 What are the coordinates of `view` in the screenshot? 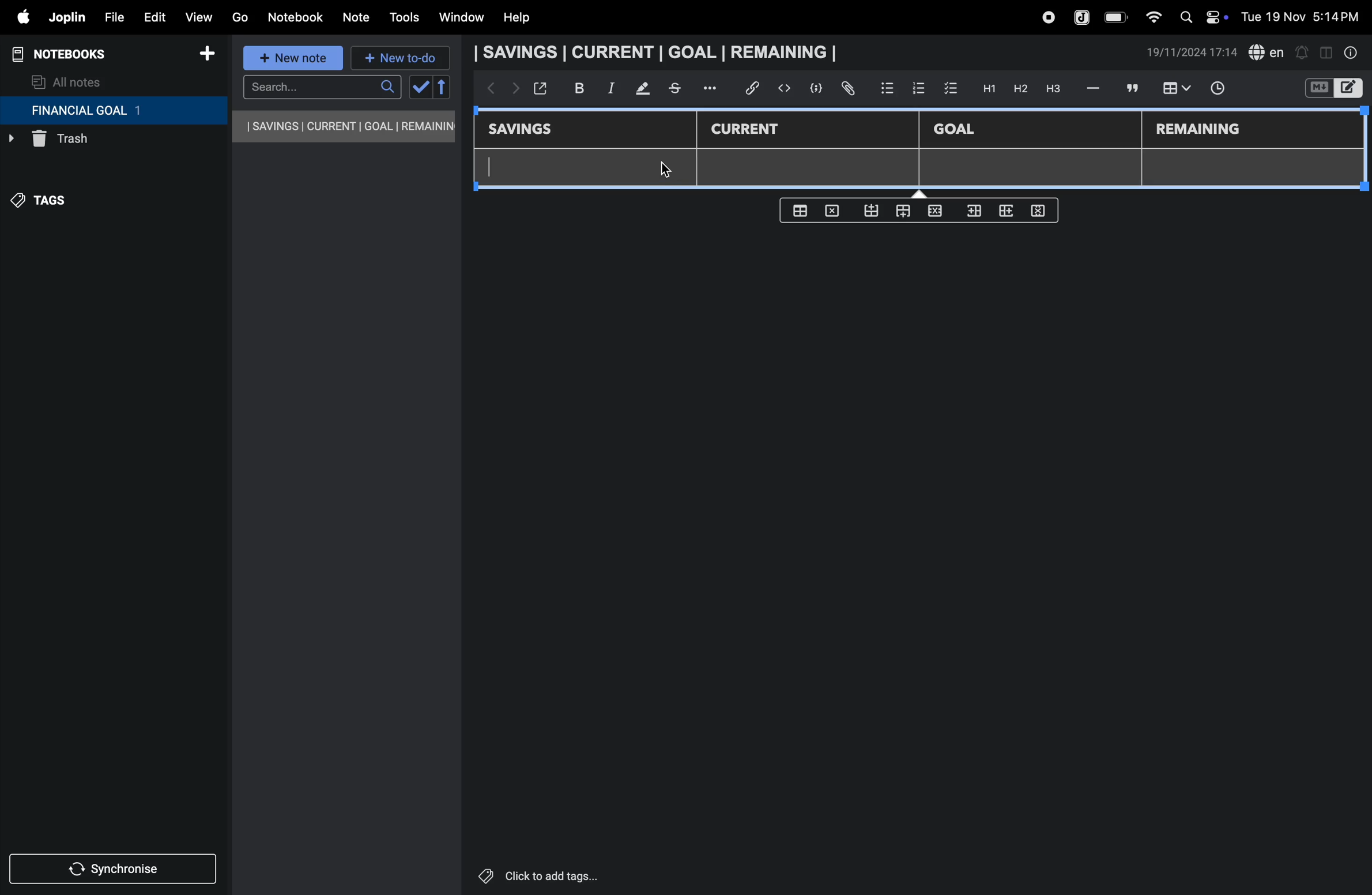 It's located at (198, 14).